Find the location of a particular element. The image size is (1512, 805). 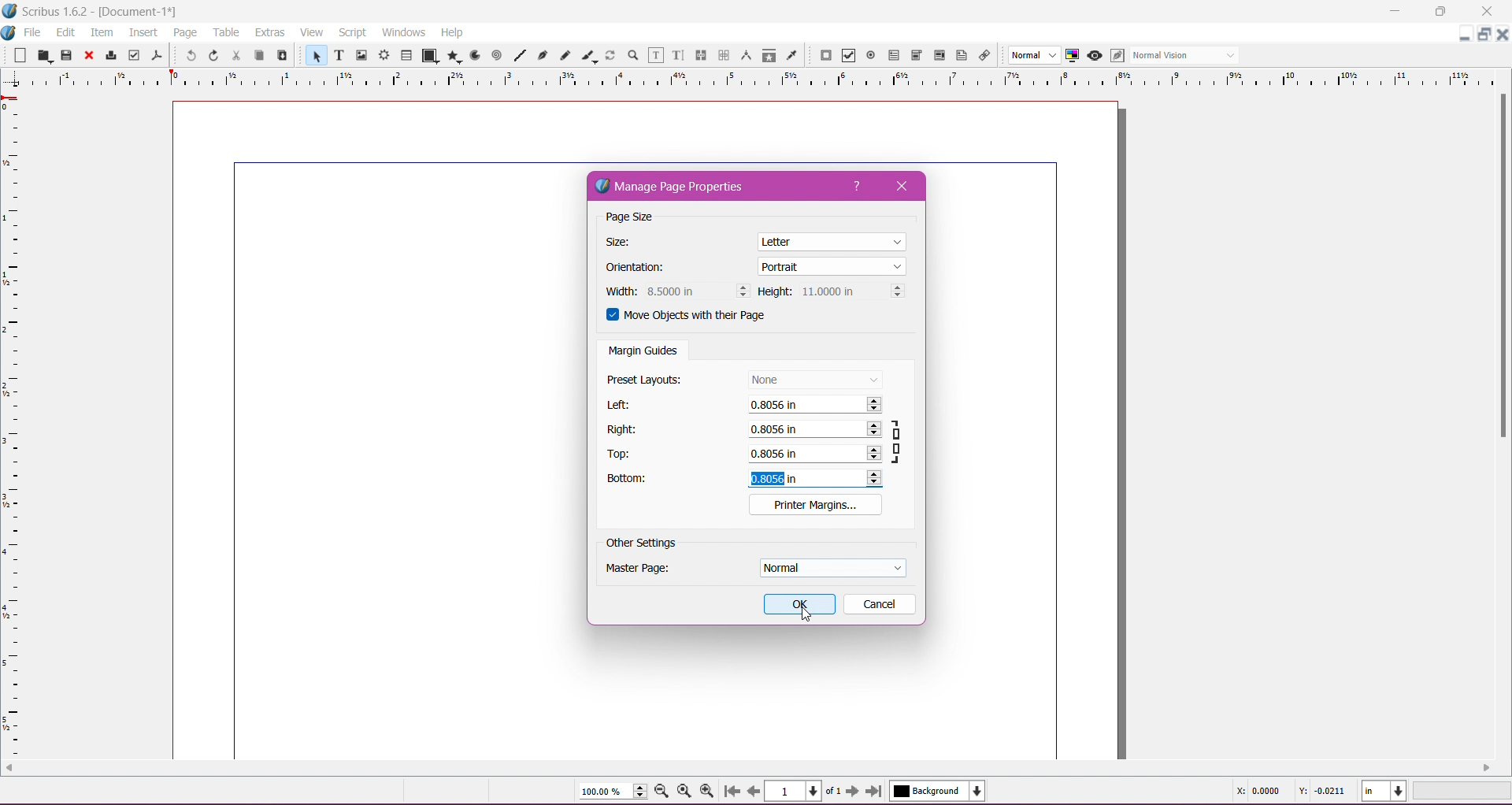

Item is located at coordinates (101, 32).